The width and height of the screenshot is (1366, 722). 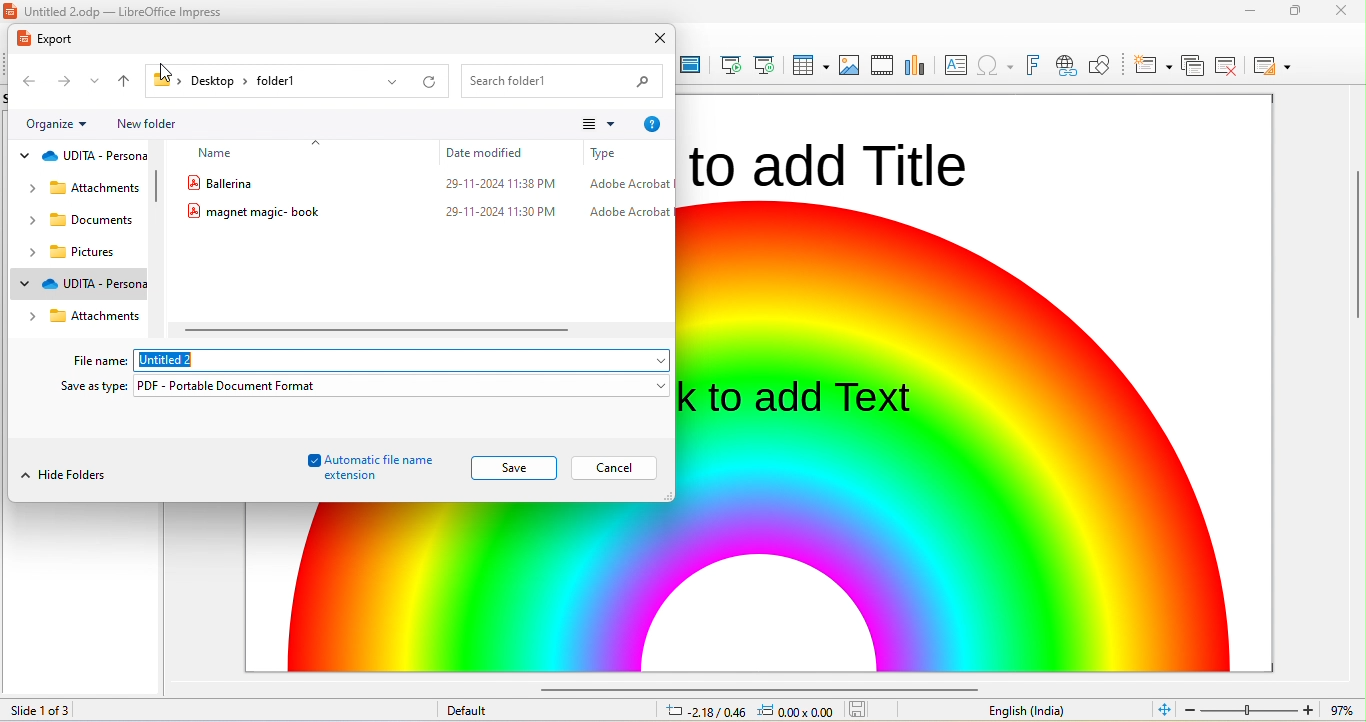 I want to click on image, so click(x=850, y=65).